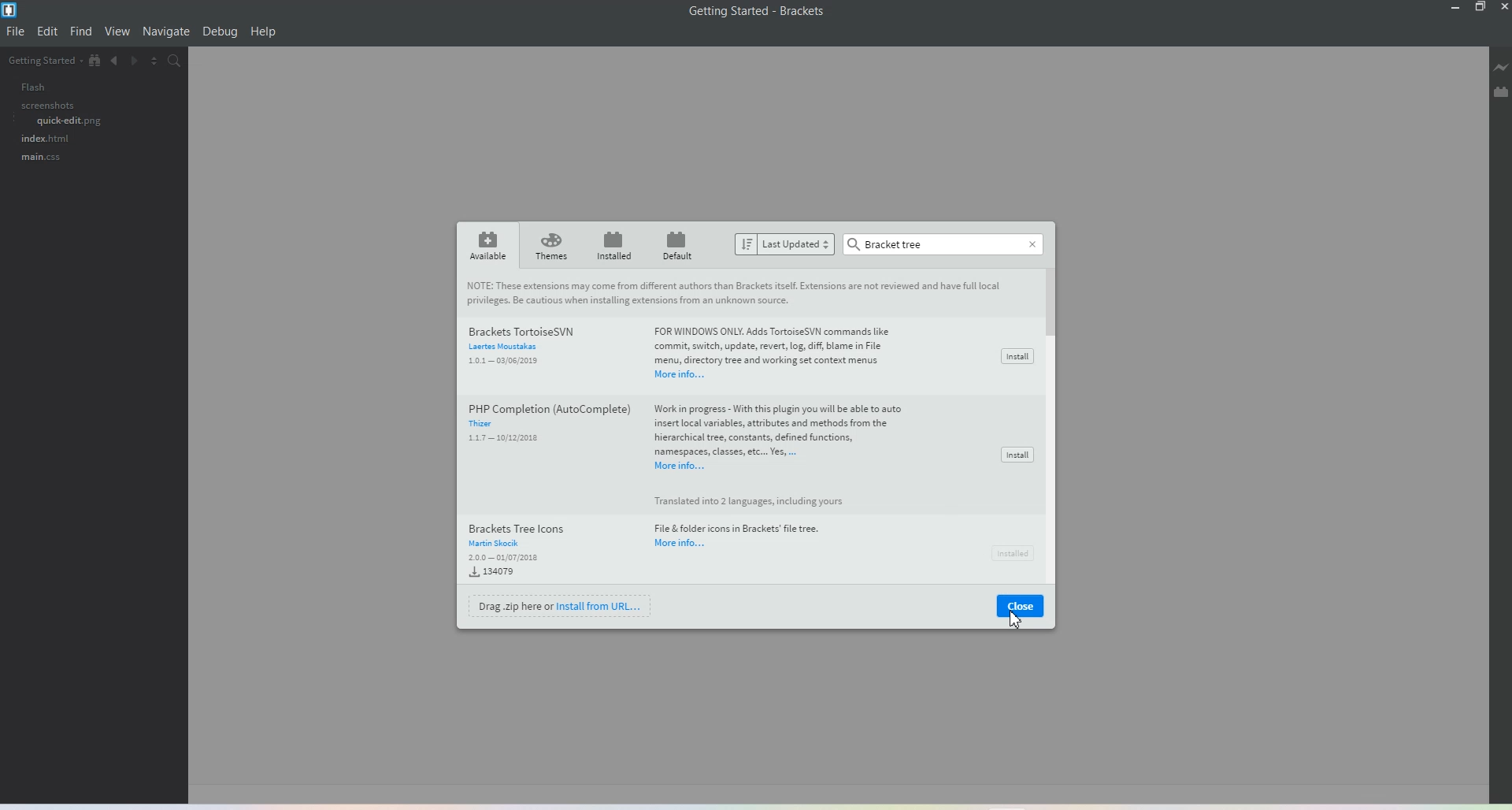  What do you see at coordinates (485, 245) in the screenshot?
I see `Available` at bounding box center [485, 245].